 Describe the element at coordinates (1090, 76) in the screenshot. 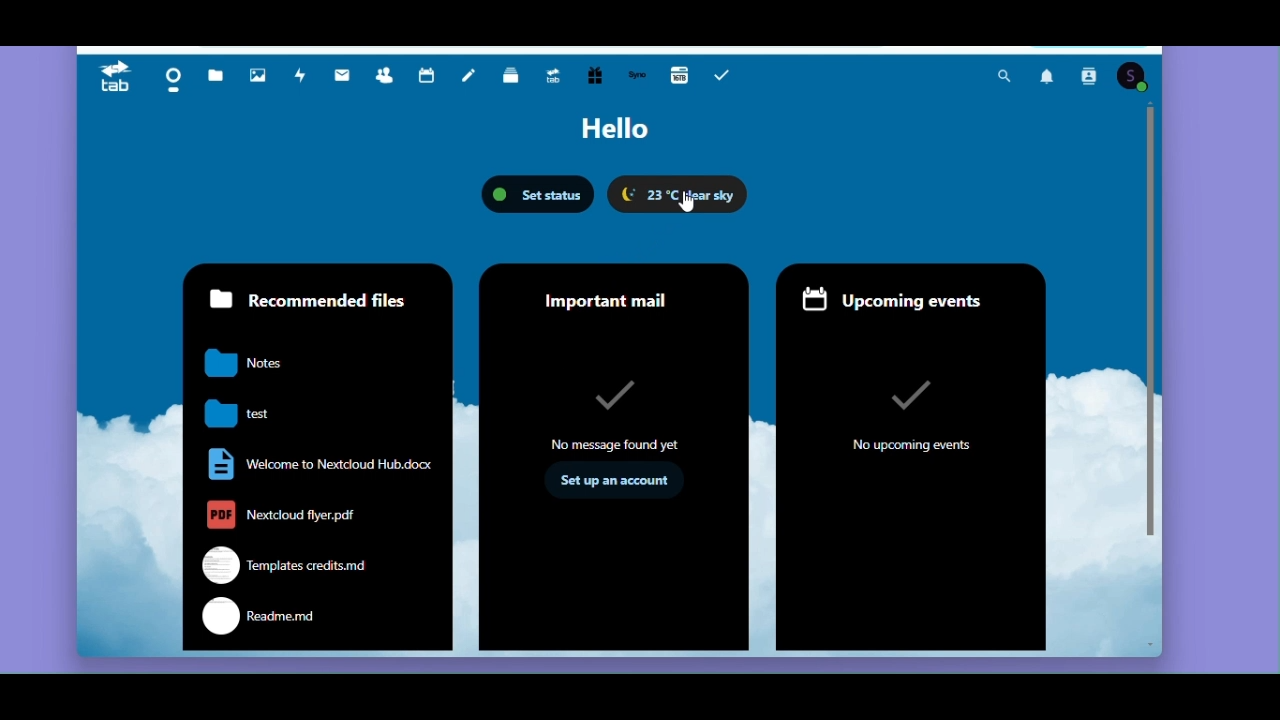

I see `Contact search` at that location.